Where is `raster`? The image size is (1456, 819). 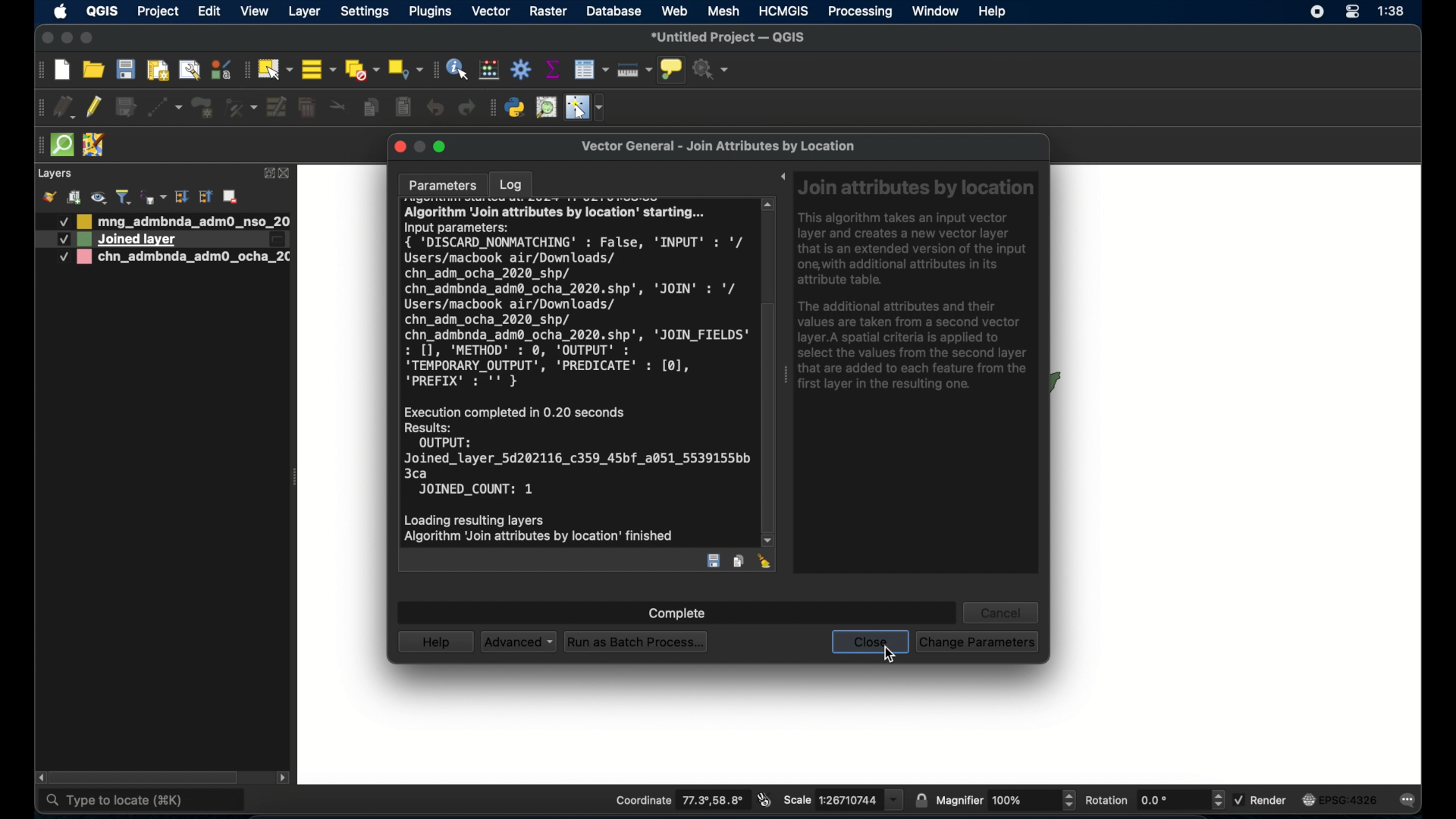
raster is located at coordinates (550, 12).